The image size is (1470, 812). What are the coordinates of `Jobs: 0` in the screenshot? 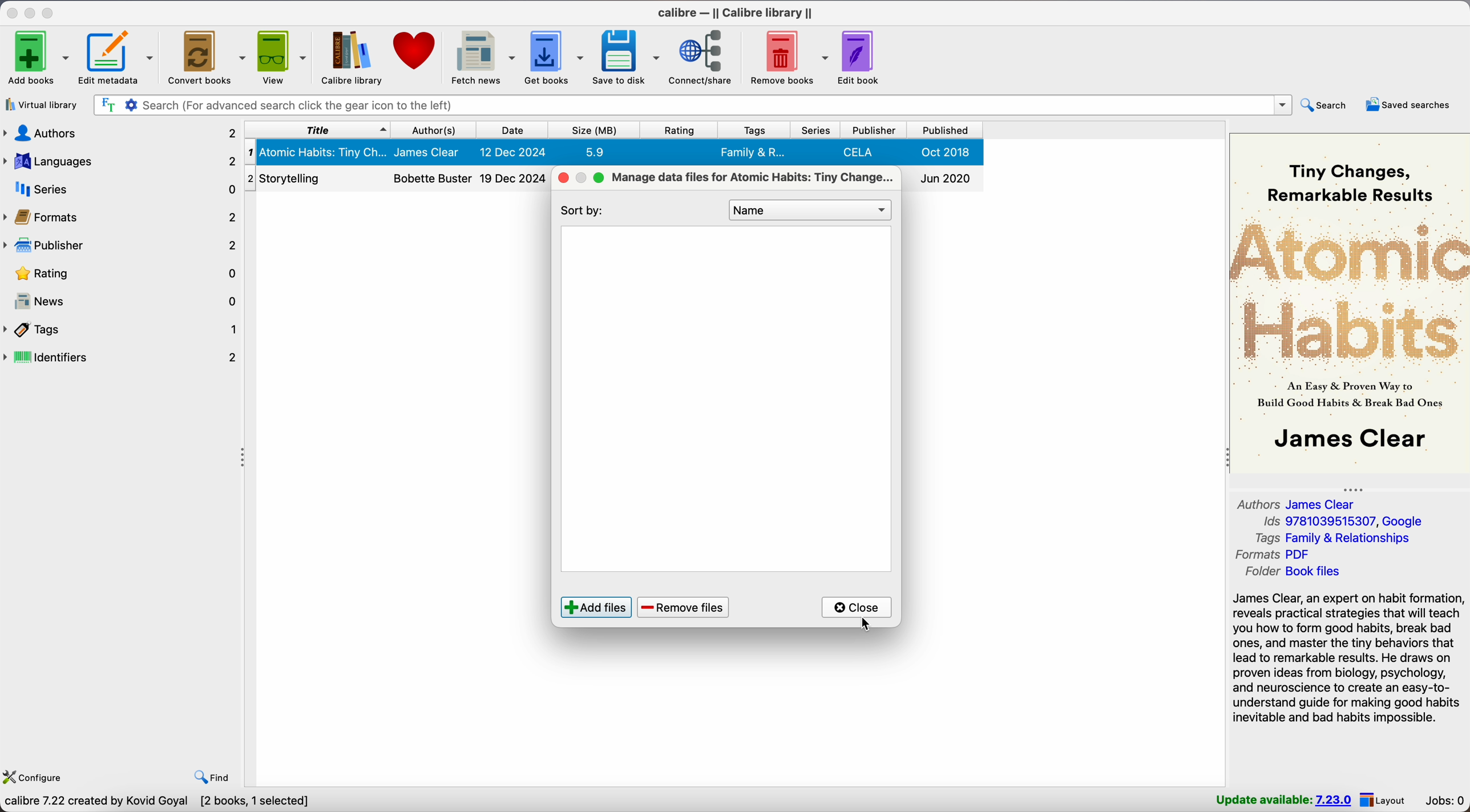 It's located at (1445, 801).